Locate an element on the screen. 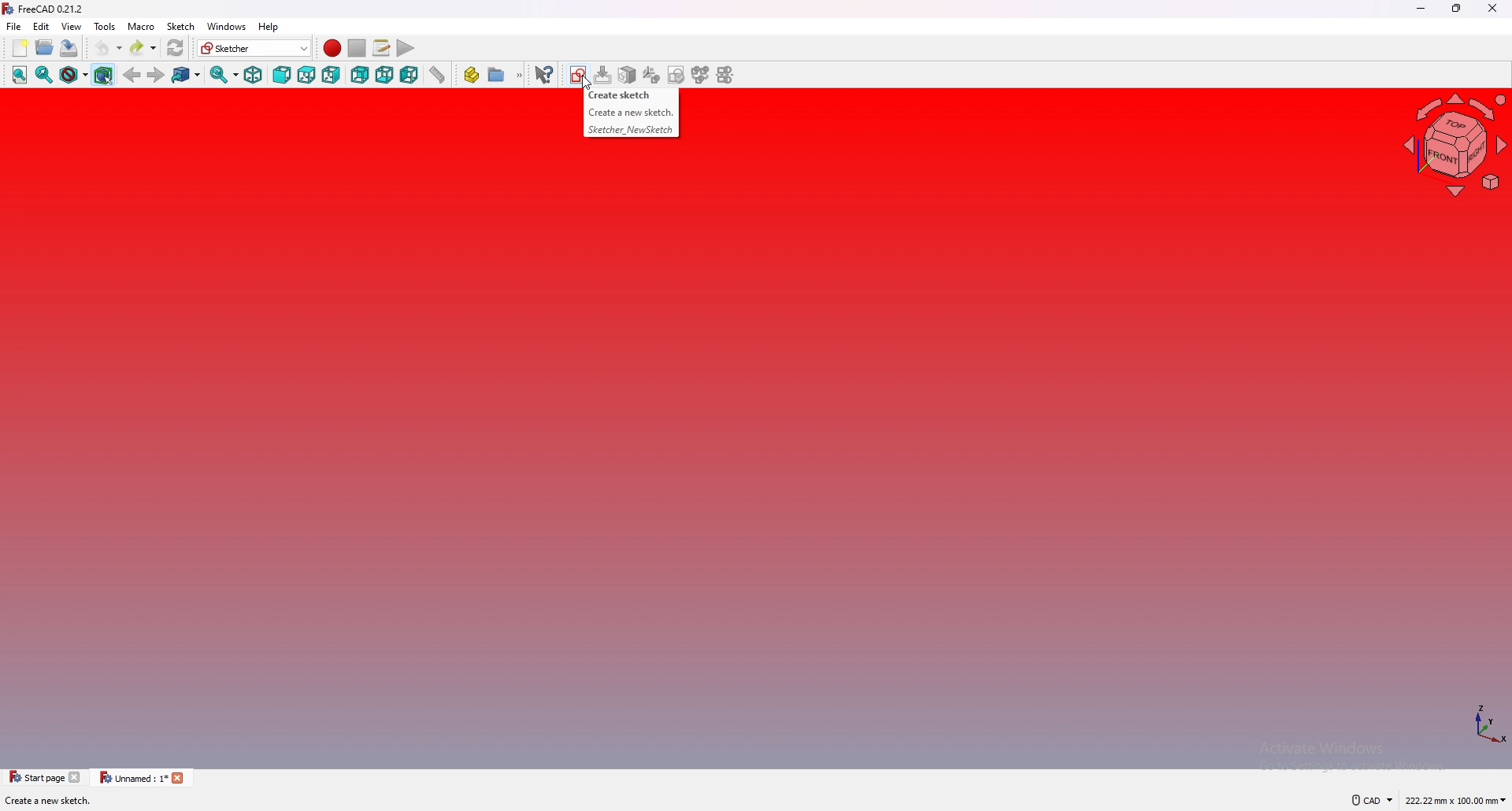 This screenshot has width=1512, height=811. macros is located at coordinates (382, 48).